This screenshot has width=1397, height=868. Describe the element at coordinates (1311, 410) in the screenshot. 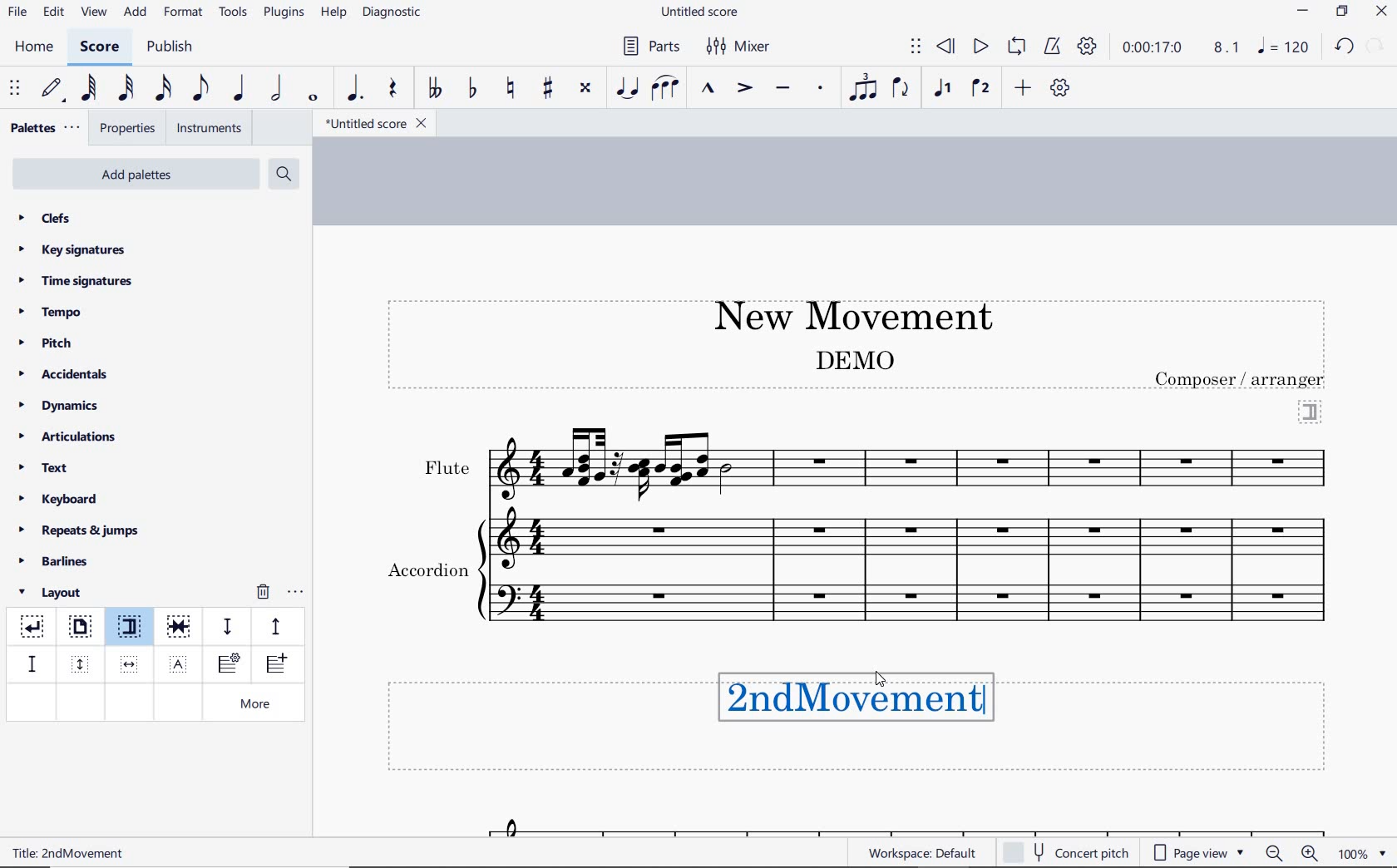

I see `section break` at that location.